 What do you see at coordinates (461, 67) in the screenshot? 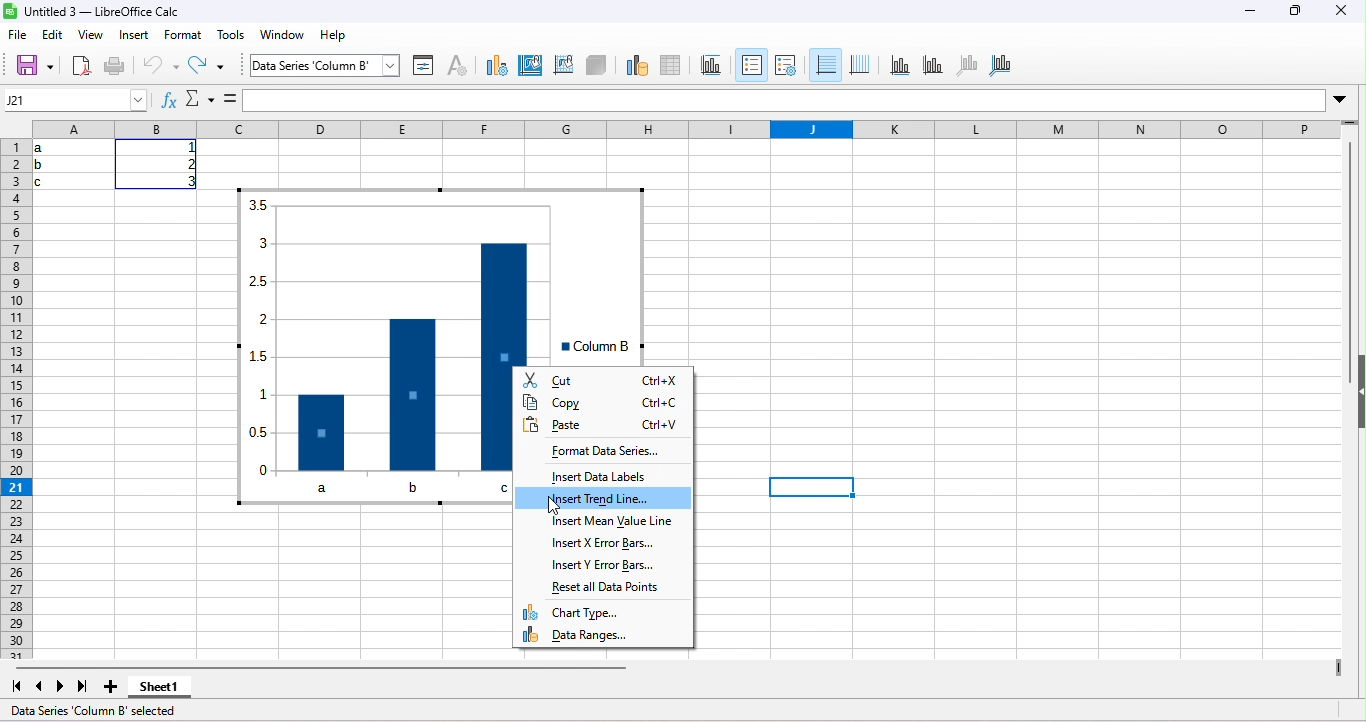
I see `character` at bounding box center [461, 67].